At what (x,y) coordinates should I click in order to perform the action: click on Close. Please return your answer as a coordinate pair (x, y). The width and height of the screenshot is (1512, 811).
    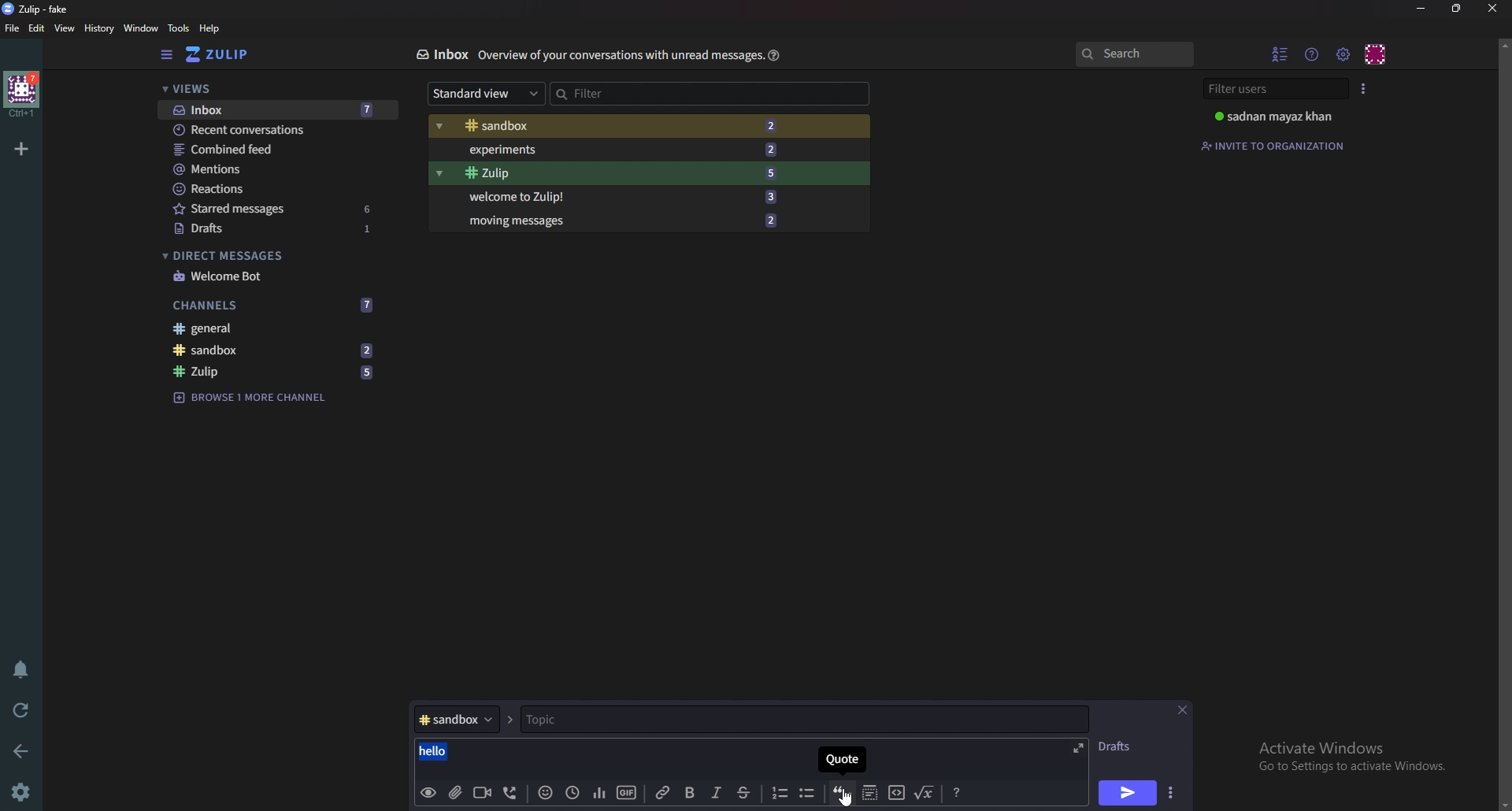
    Looking at the image, I should click on (1489, 9).